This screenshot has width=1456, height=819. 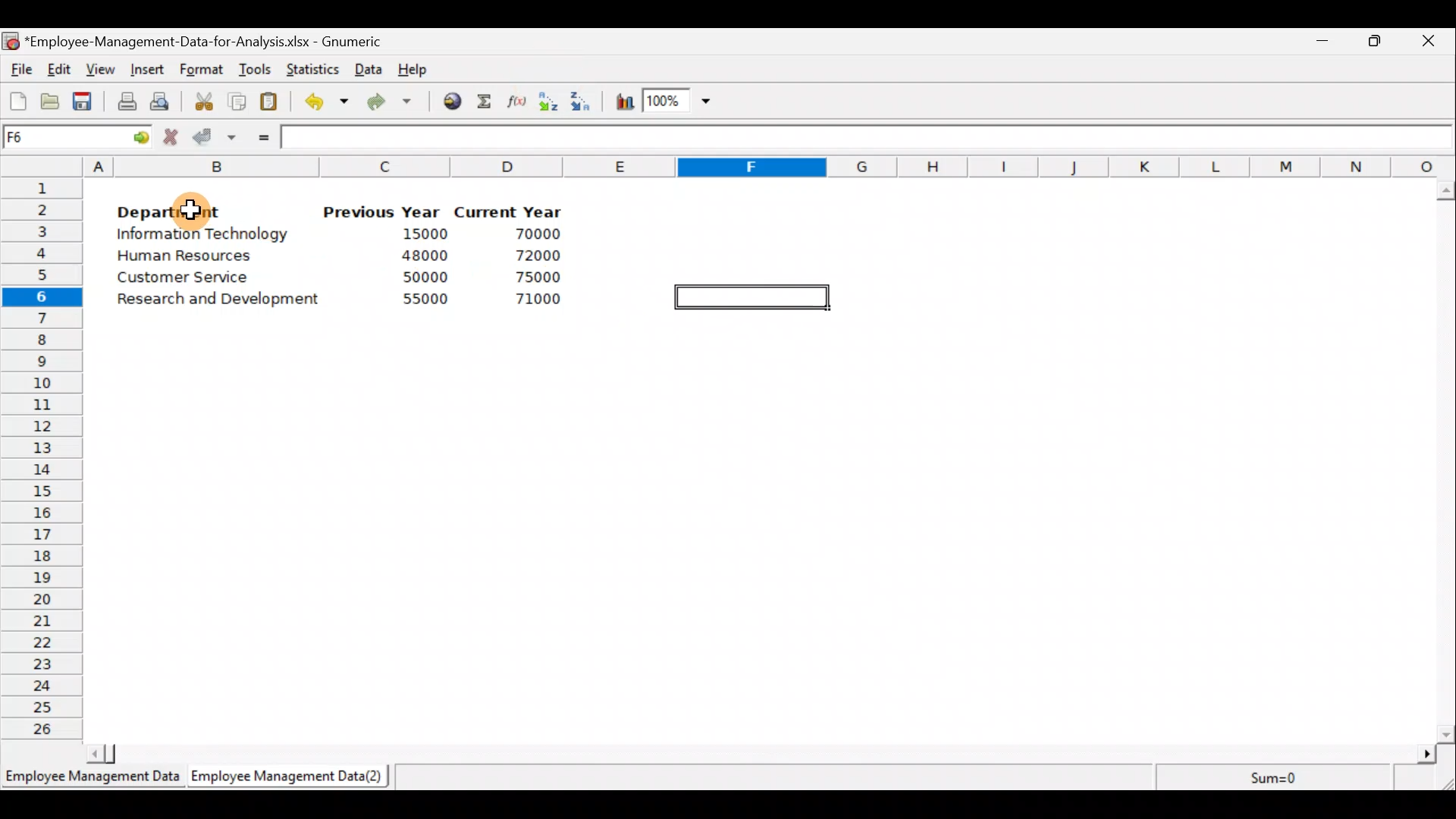 What do you see at coordinates (231, 304) in the screenshot?
I see `Research and Development` at bounding box center [231, 304].